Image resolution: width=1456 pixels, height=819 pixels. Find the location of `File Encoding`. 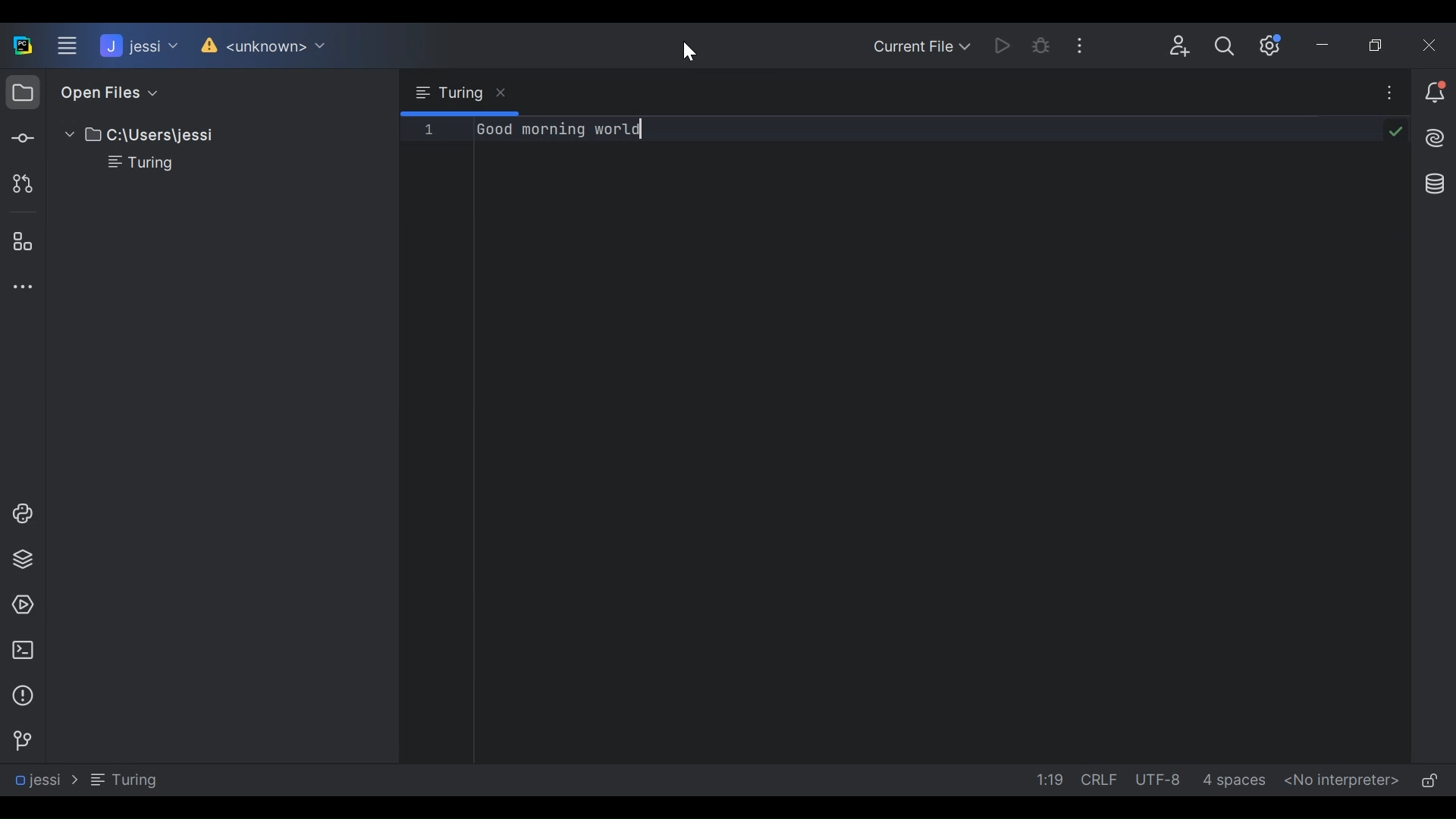

File Encoding is located at coordinates (1161, 779).